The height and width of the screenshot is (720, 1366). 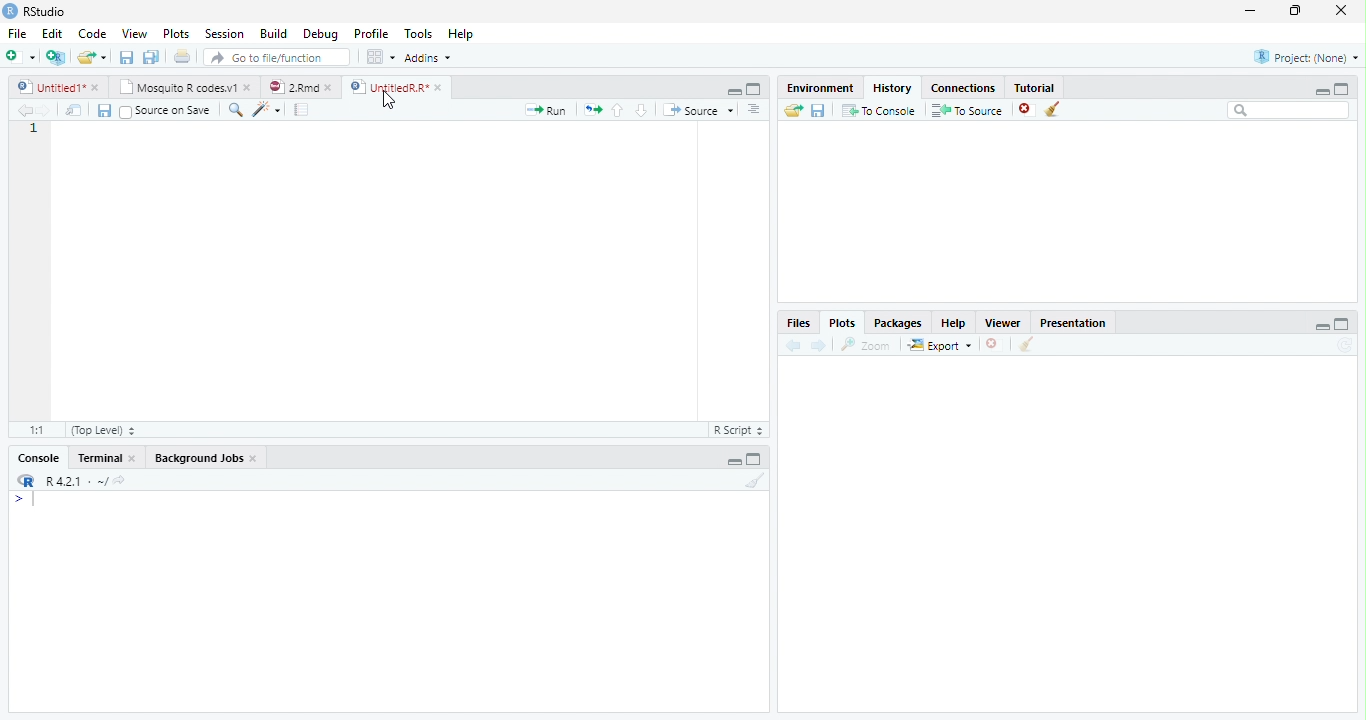 I want to click on Files, so click(x=592, y=110).